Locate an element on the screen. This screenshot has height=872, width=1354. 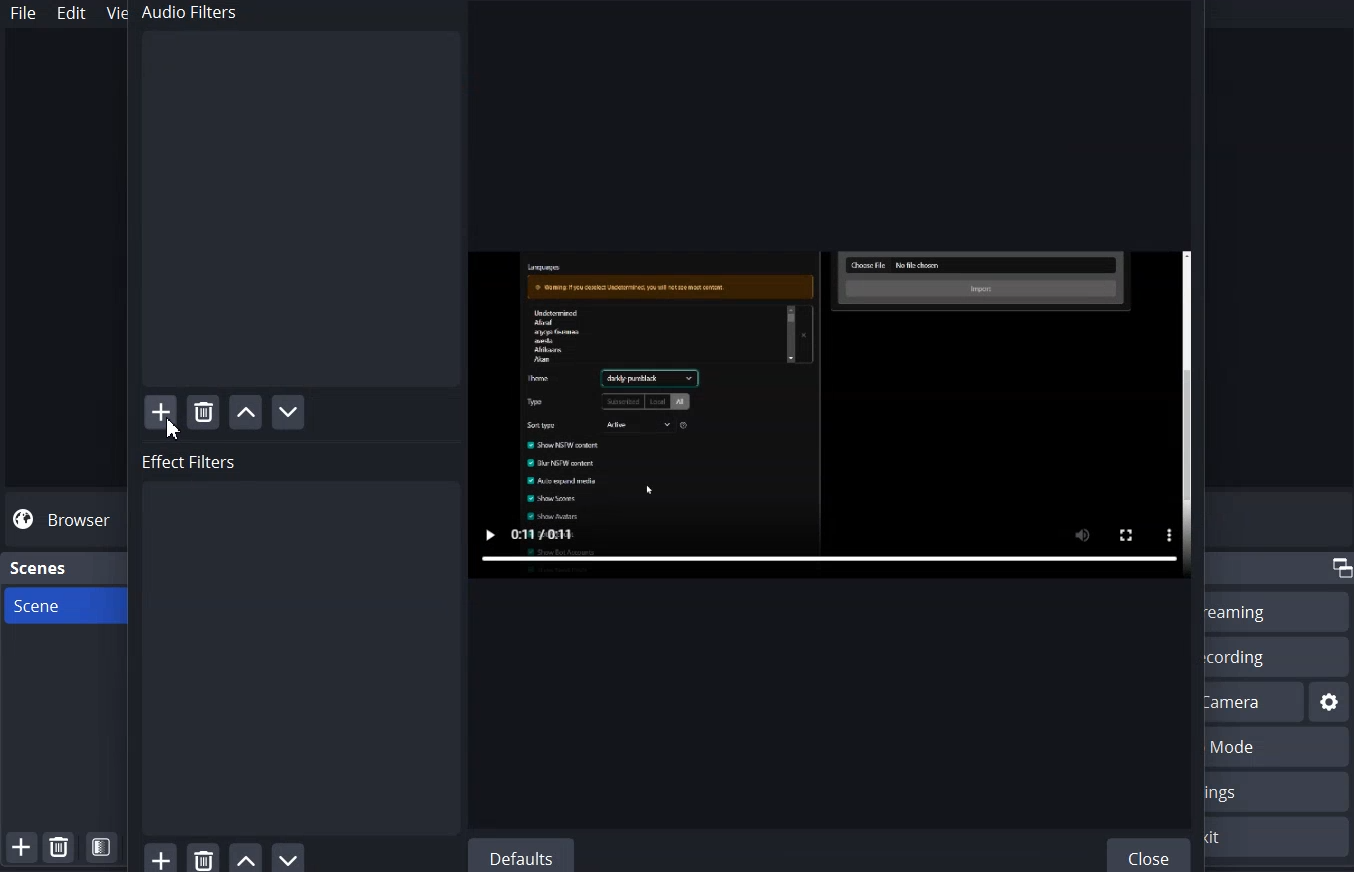
cursor is located at coordinates (173, 430).